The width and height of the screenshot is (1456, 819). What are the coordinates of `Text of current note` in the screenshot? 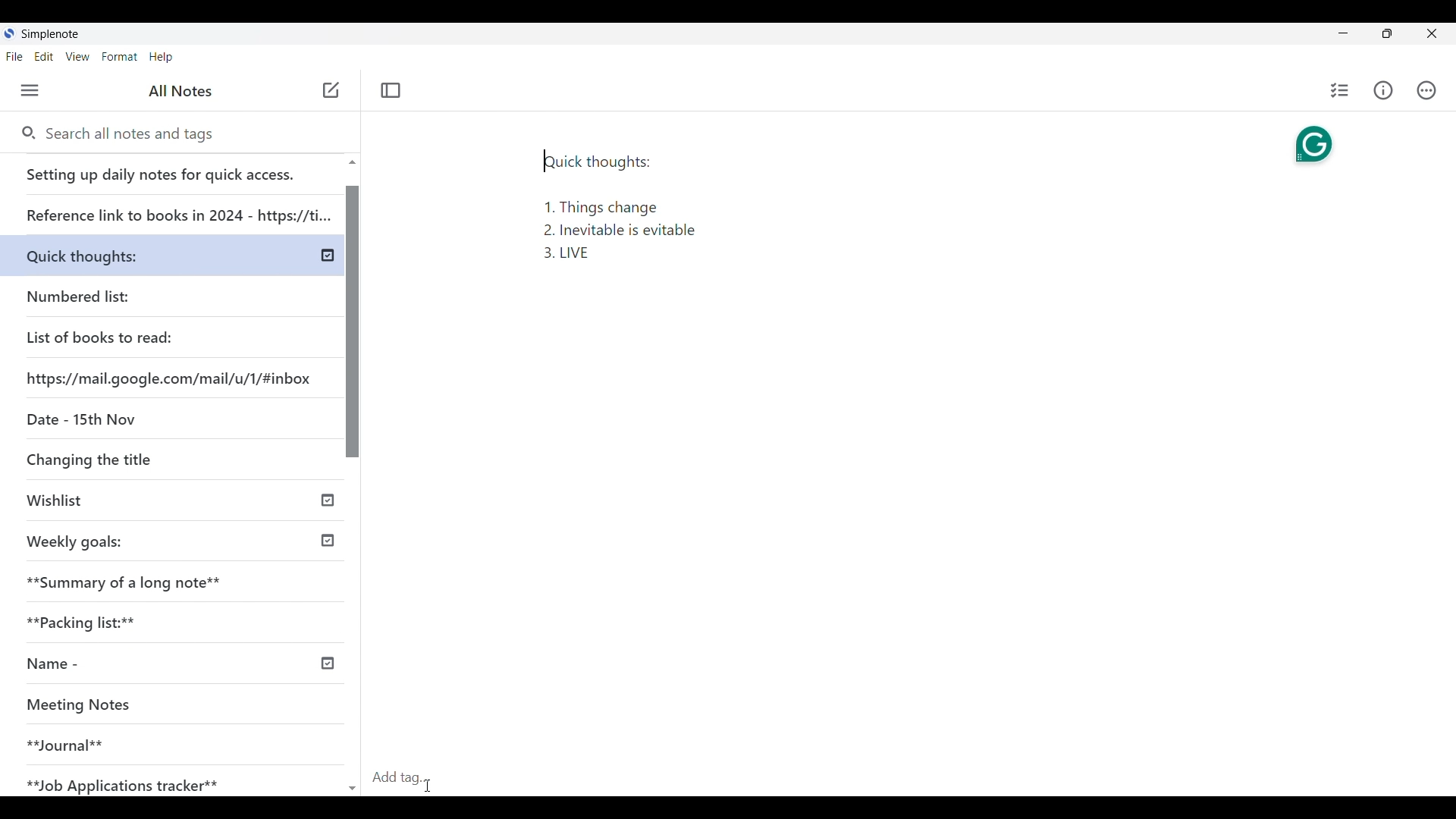 It's located at (623, 205).